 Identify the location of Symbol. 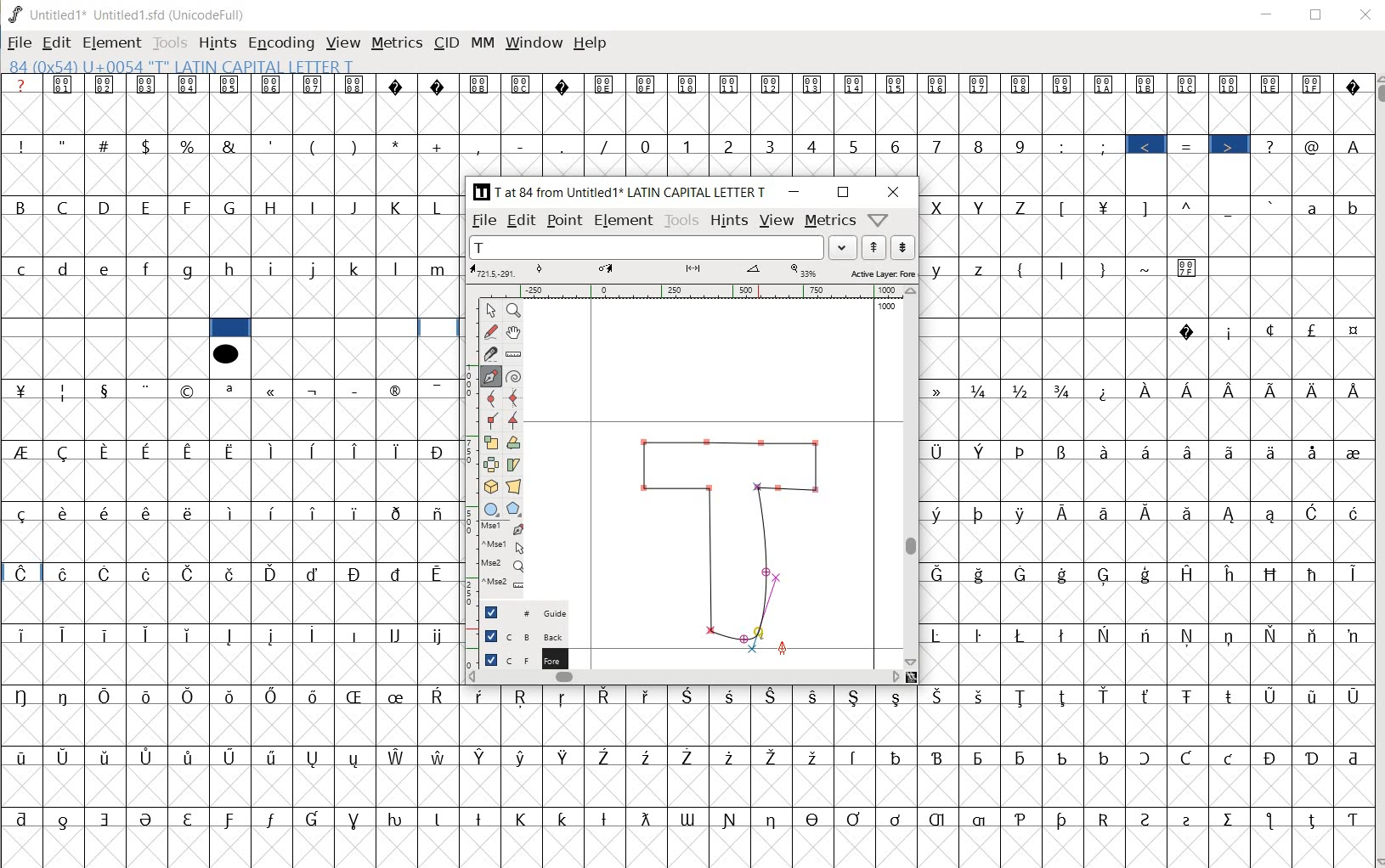
(1148, 697).